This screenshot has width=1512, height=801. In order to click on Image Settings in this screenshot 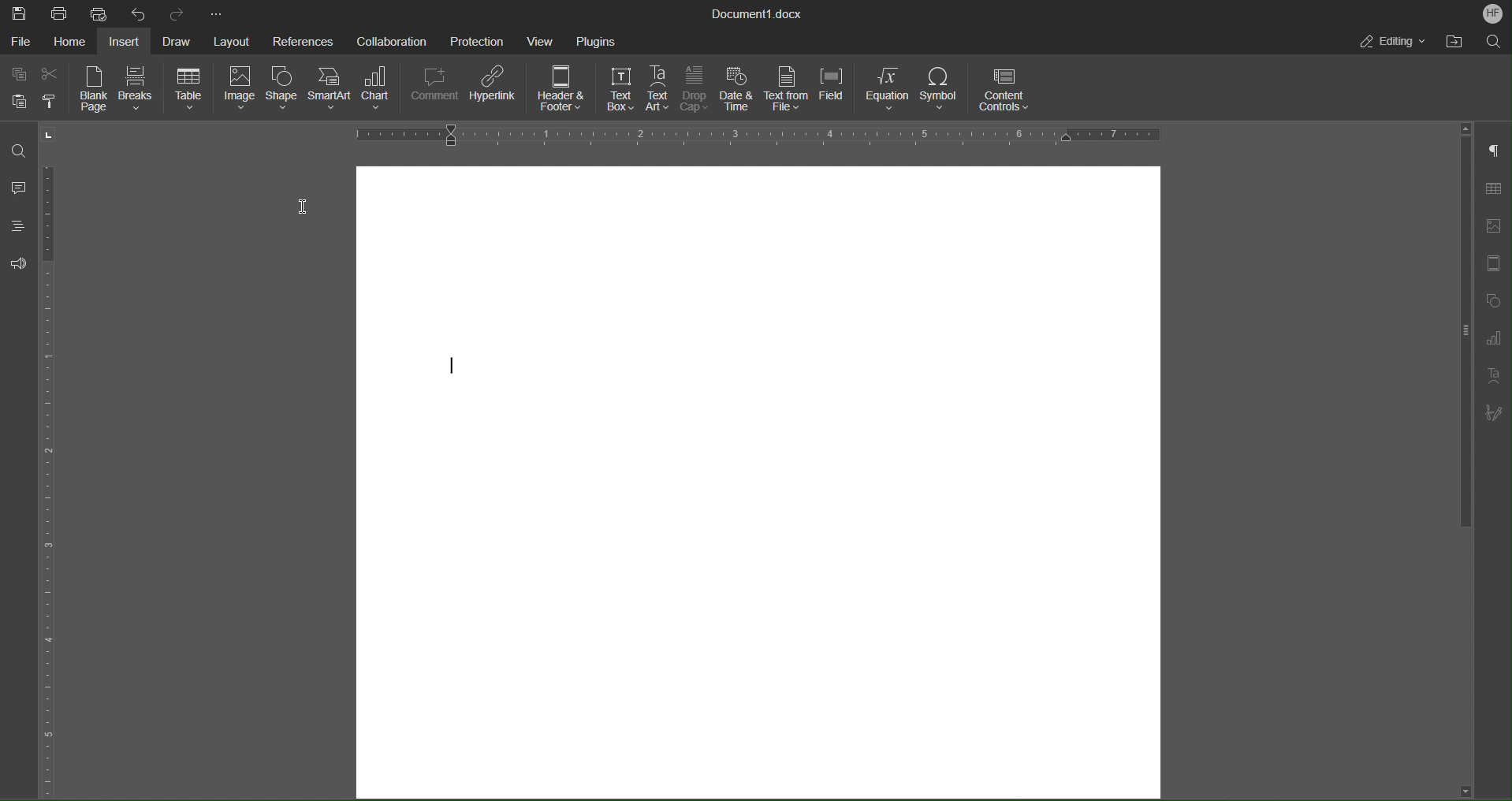, I will do `click(1492, 227)`.